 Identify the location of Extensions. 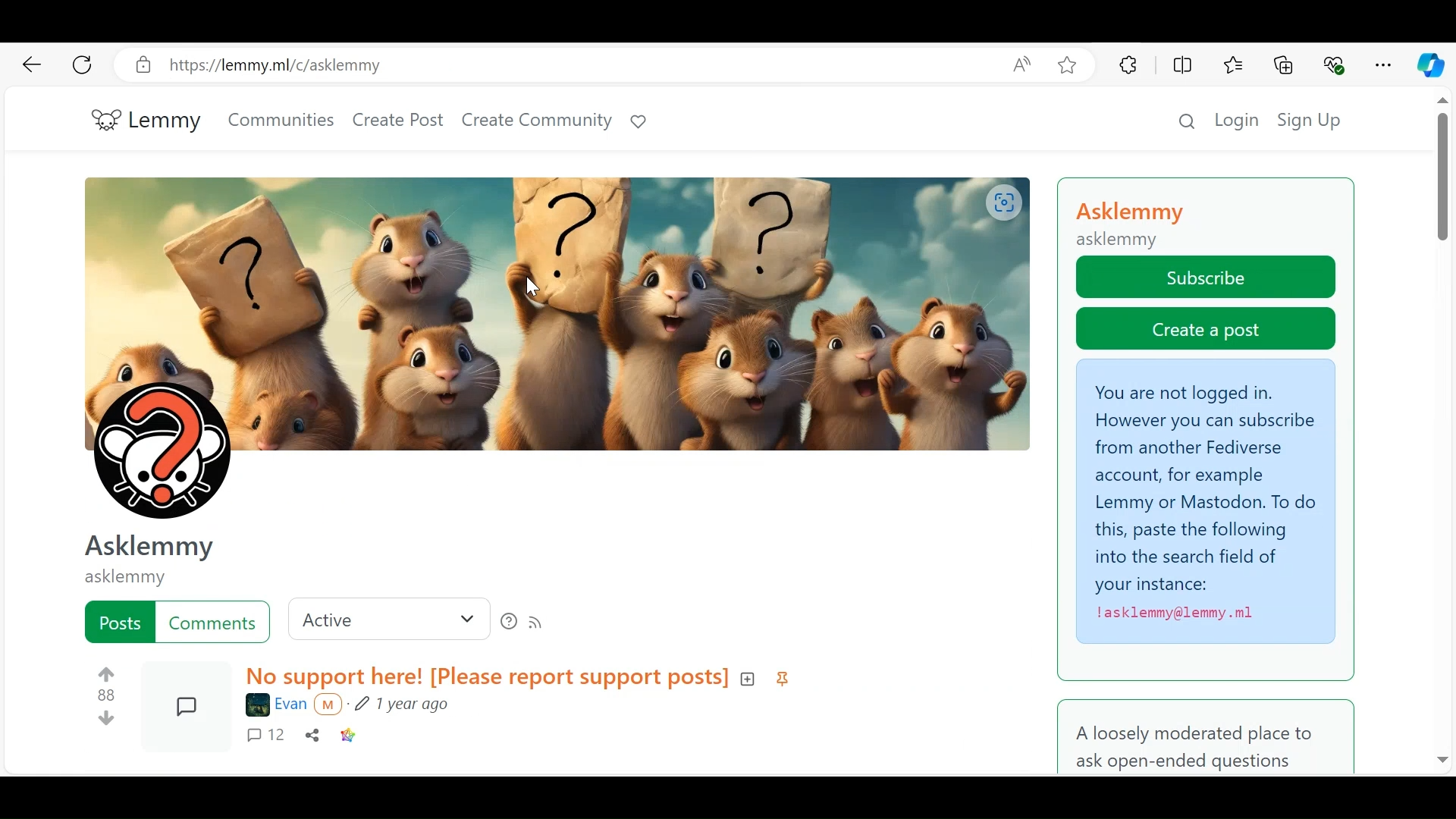
(1128, 66).